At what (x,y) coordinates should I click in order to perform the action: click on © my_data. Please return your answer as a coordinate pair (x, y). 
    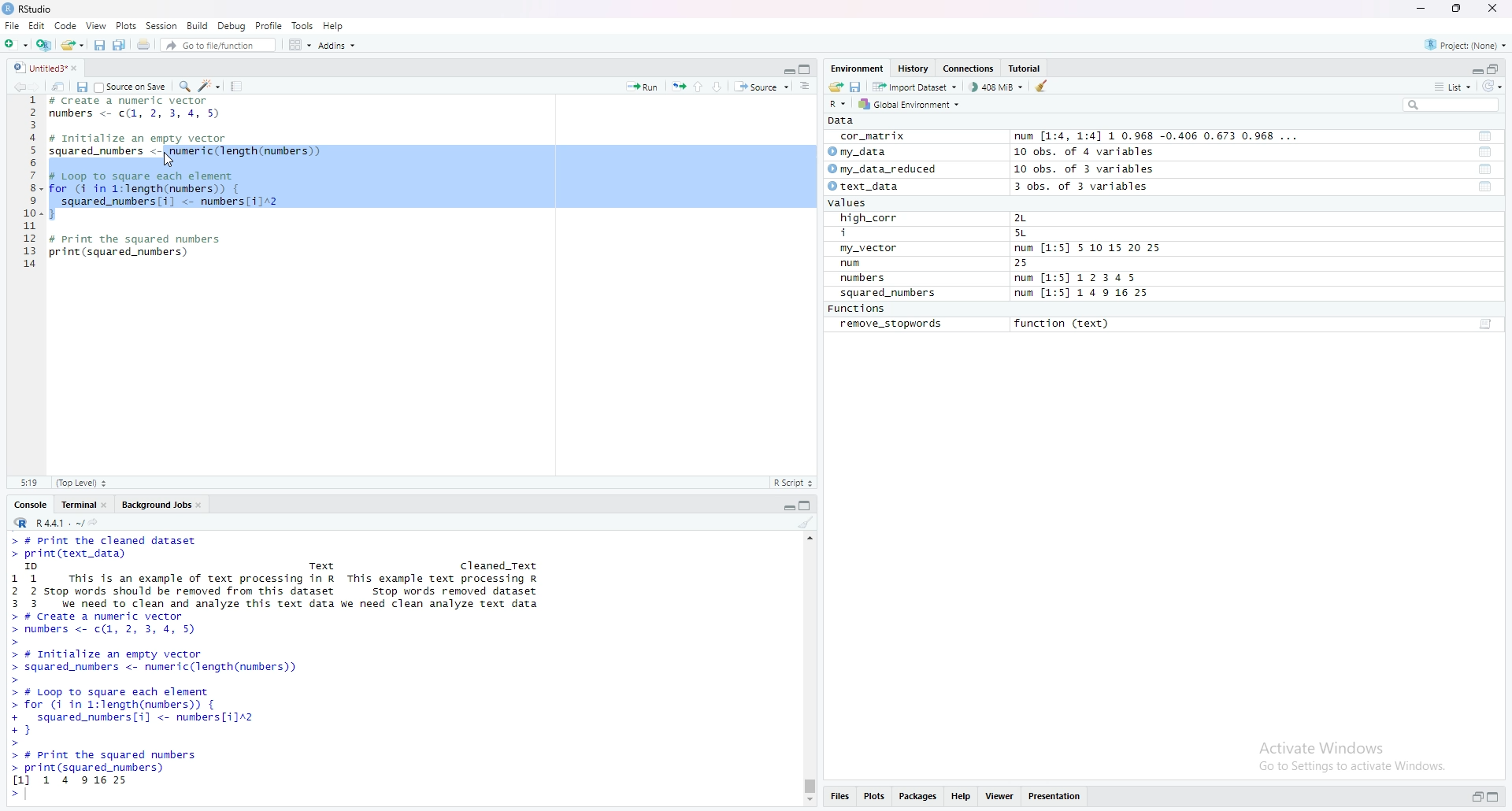
    Looking at the image, I should click on (859, 152).